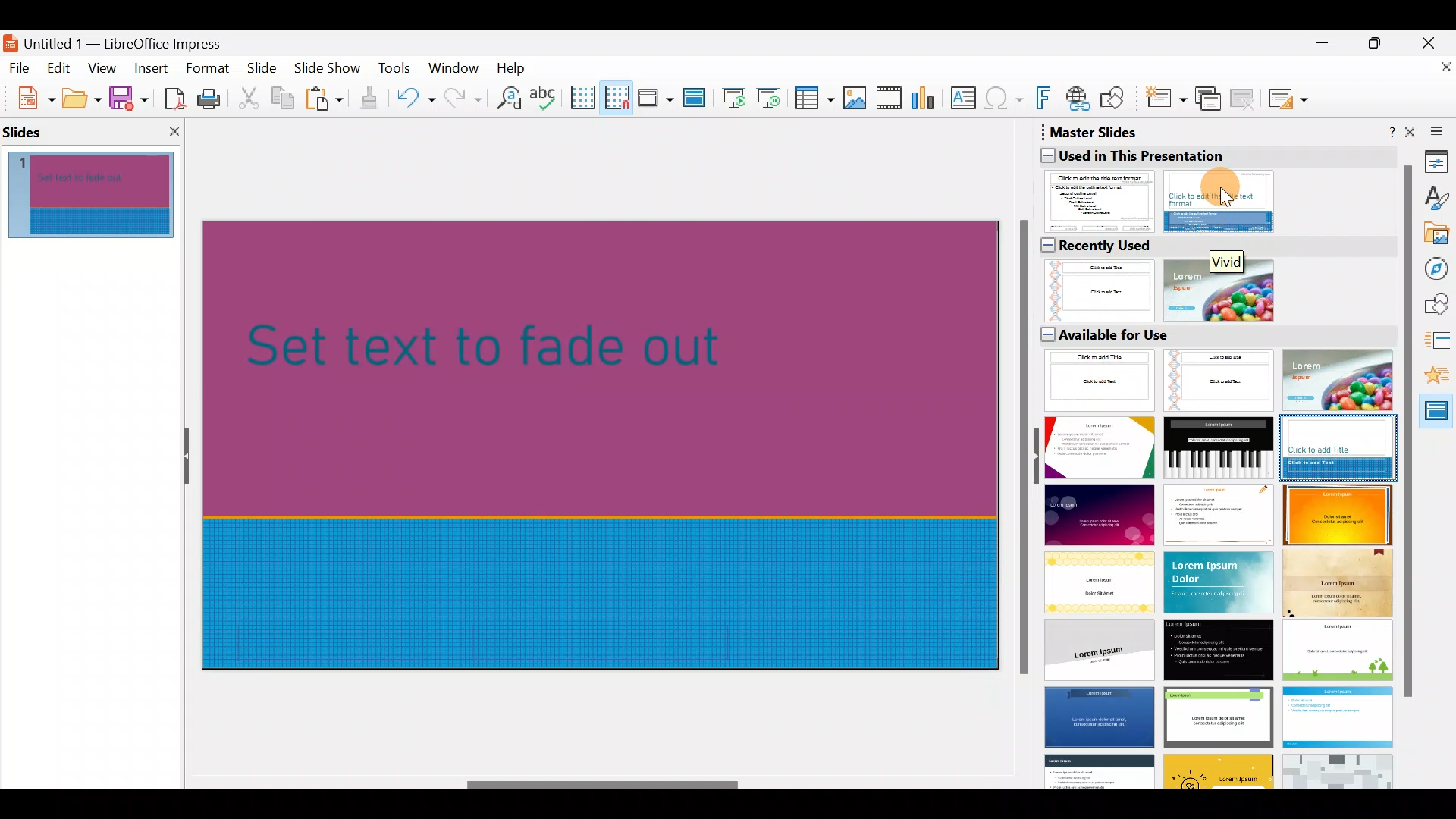  Describe the element at coordinates (696, 99) in the screenshot. I see `Master slide` at that location.